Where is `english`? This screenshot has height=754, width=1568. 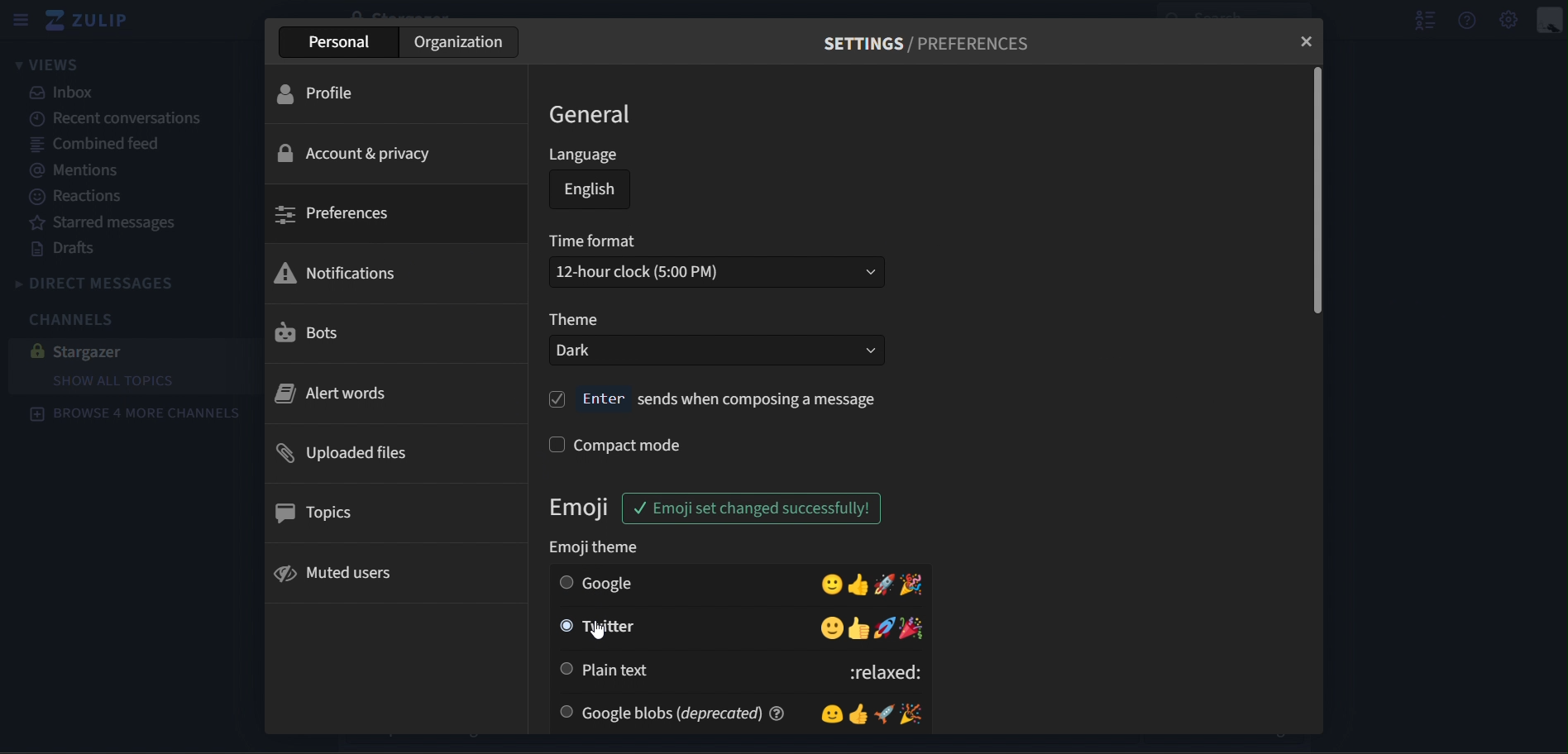
english is located at coordinates (591, 193).